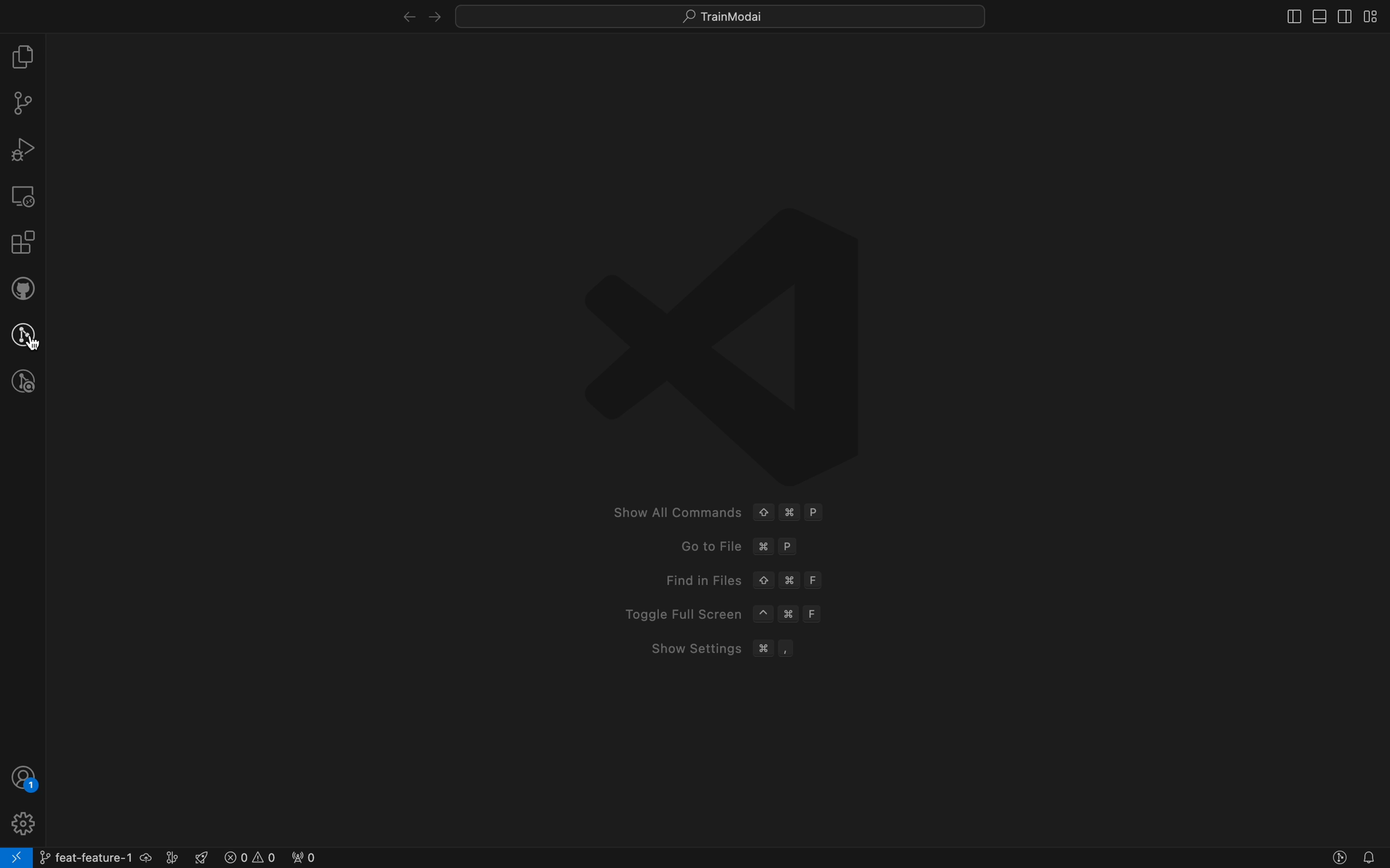 This screenshot has width=1390, height=868. I want to click on Cursor, so click(37, 343).